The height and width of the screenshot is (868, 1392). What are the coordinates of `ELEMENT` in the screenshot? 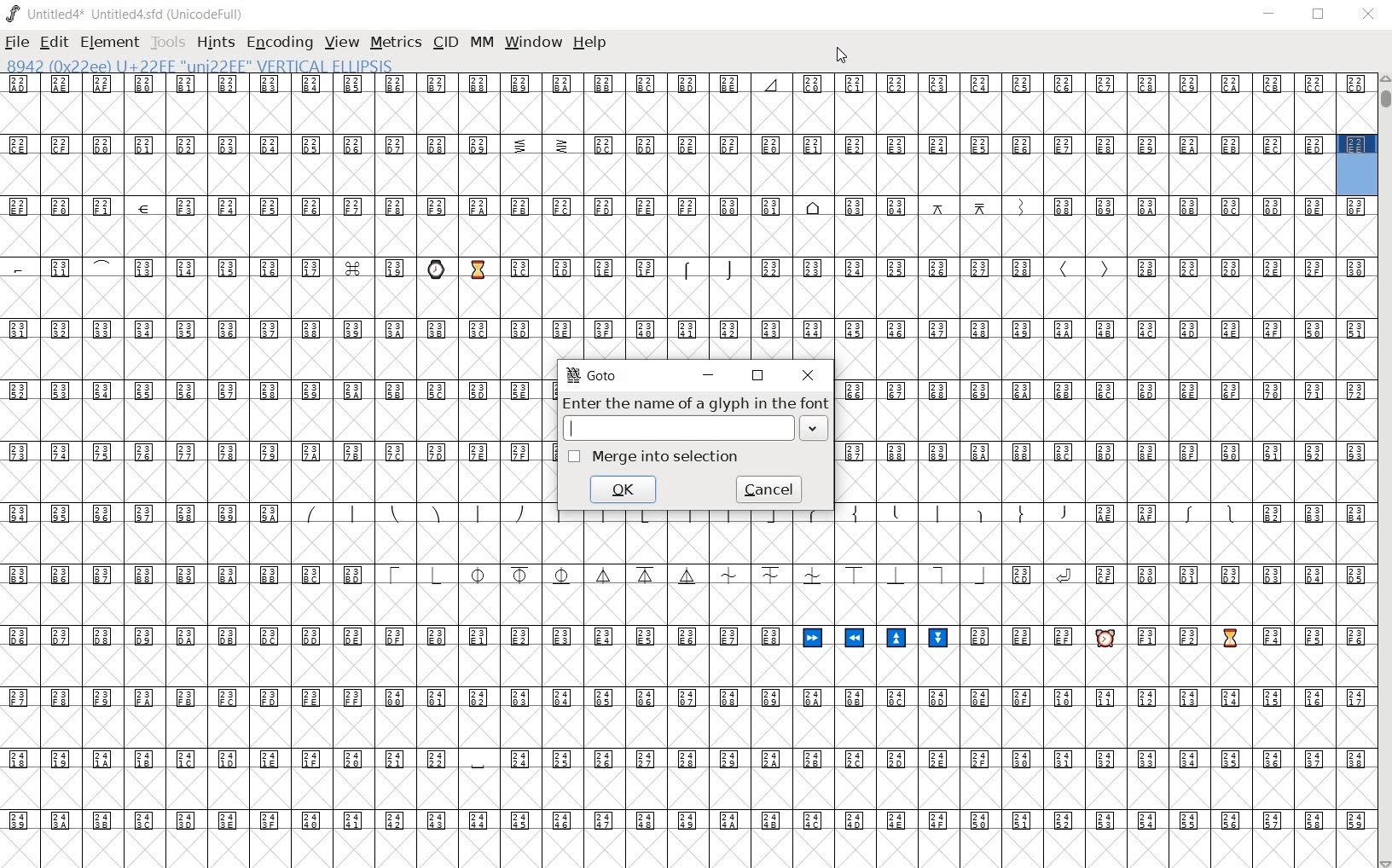 It's located at (109, 42).